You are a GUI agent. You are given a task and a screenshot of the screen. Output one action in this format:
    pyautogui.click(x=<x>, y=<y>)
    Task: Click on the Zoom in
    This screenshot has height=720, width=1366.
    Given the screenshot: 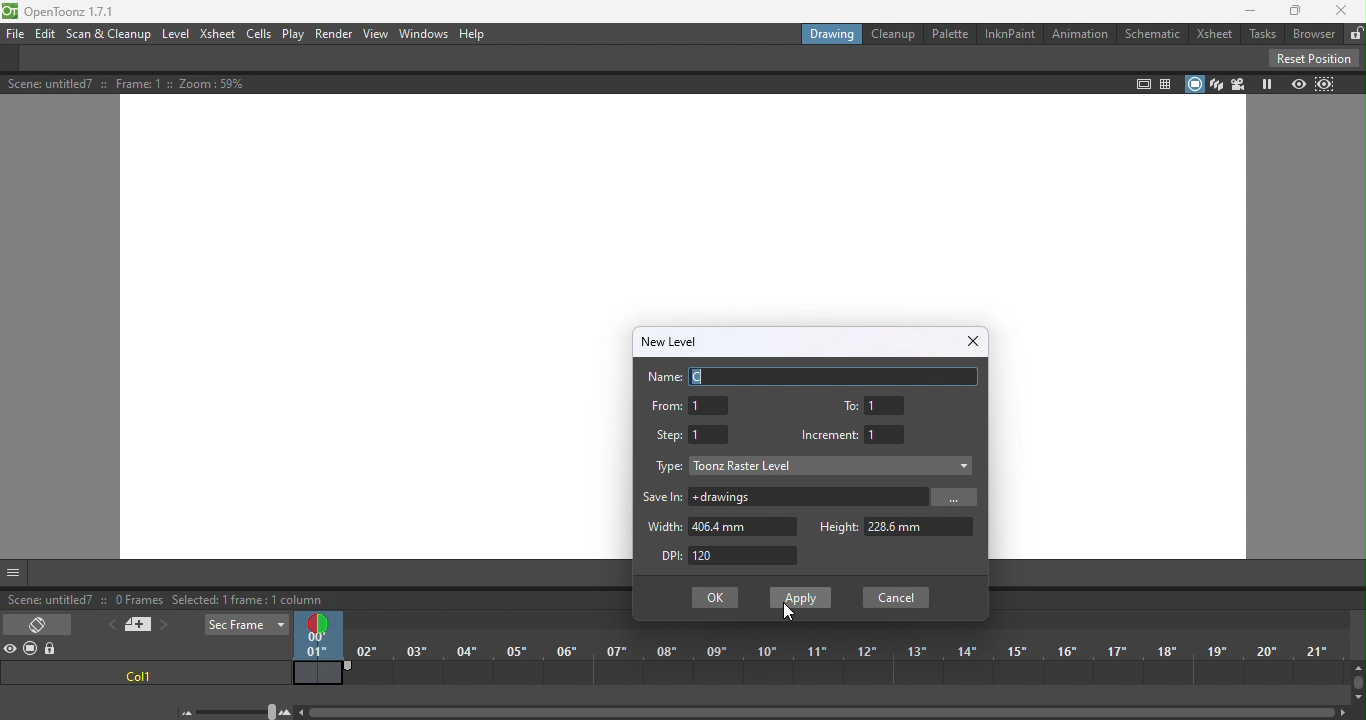 What is the action you would take?
    pyautogui.click(x=286, y=712)
    